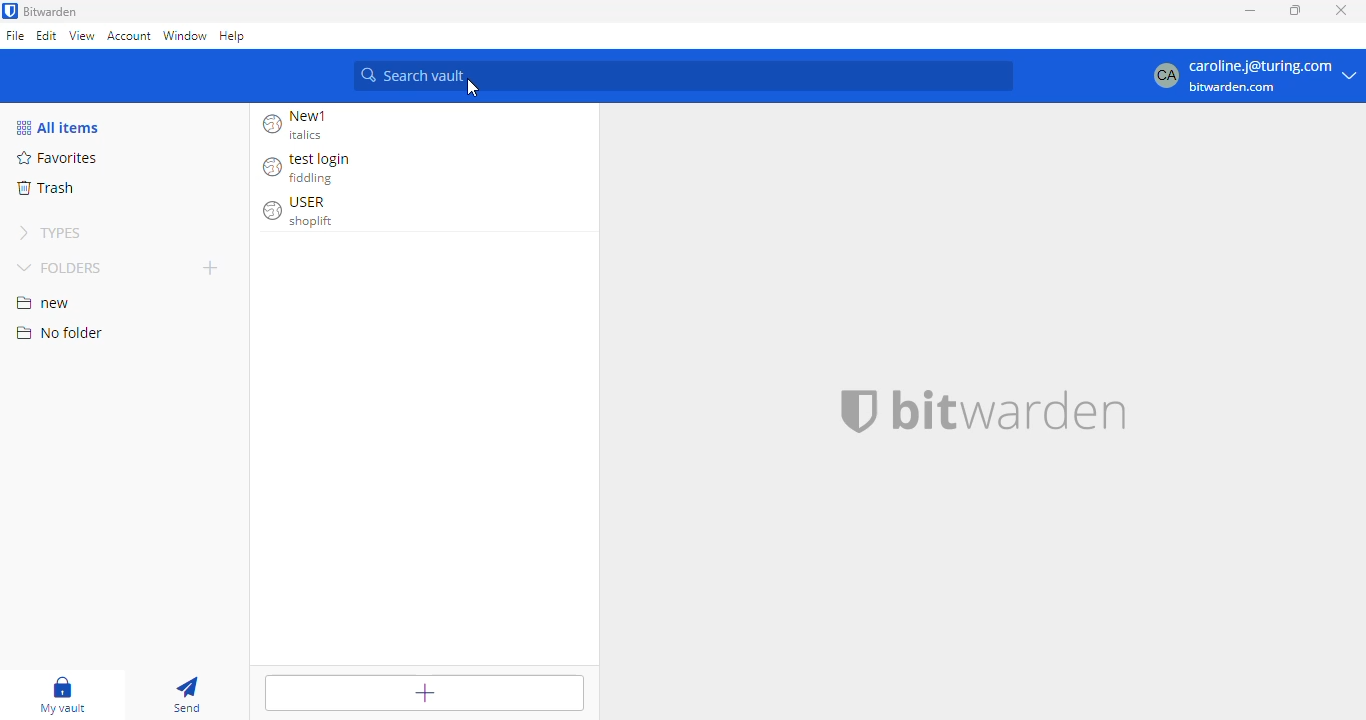  Describe the element at coordinates (210, 267) in the screenshot. I see `add folder` at that location.